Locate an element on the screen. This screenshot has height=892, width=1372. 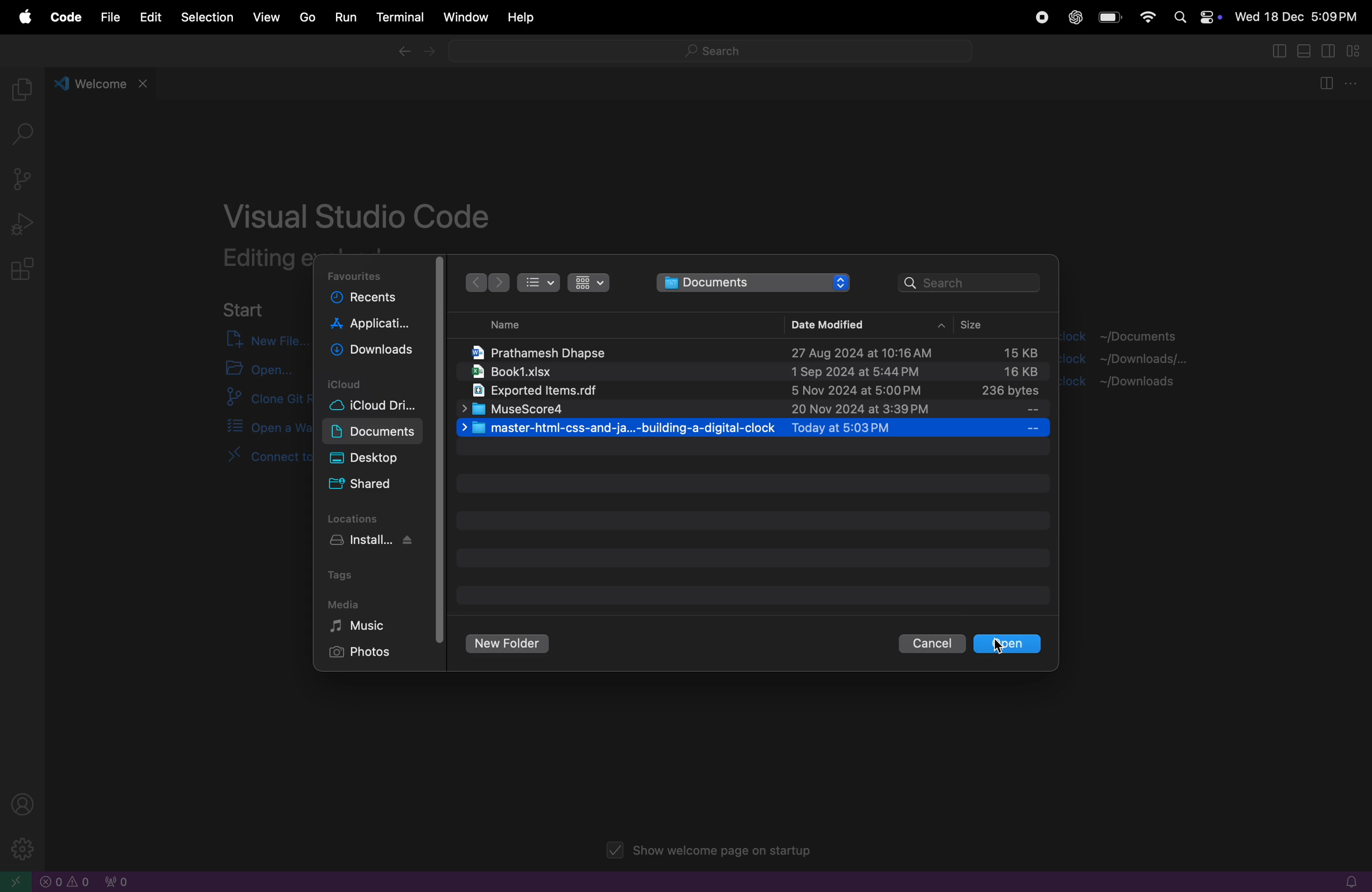
file is located at coordinates (107, 17).